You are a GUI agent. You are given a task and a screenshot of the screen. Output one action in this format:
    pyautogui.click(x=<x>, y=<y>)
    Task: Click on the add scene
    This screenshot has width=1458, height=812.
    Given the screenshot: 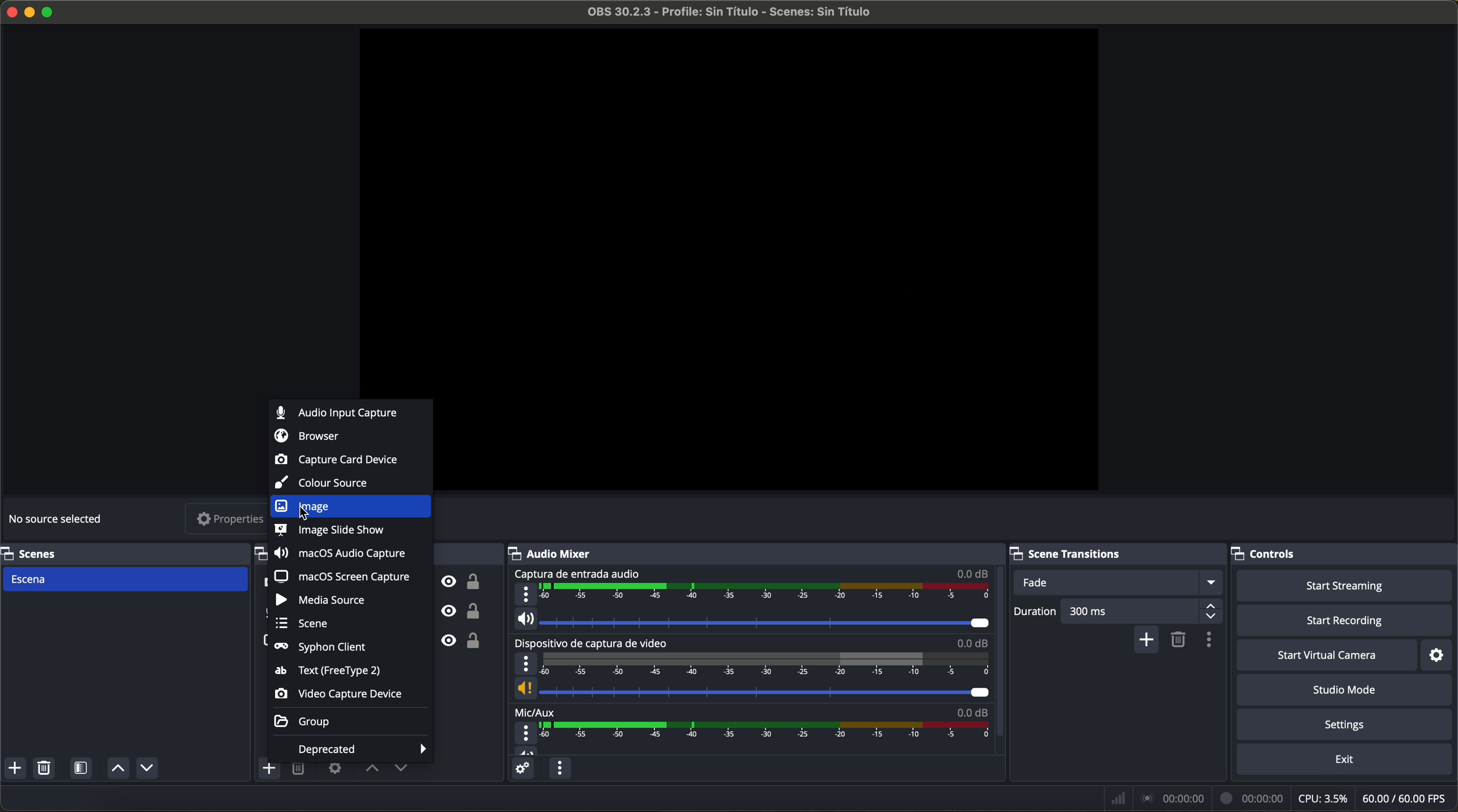 What is the action you would take?
    pyautogui.click(x=15, y=768)
    